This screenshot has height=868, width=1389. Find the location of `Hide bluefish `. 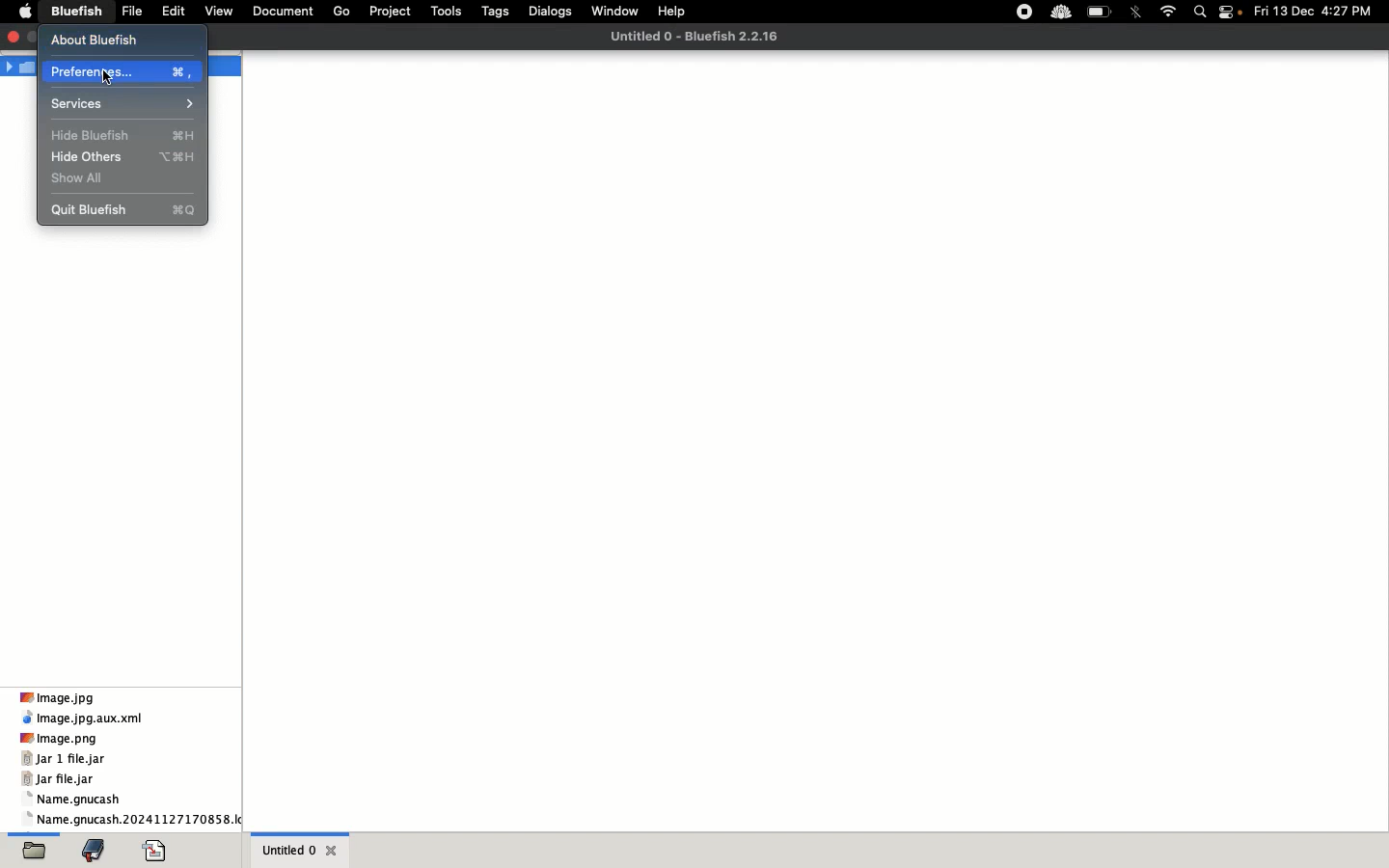

Hide bluefish  is located at coordinates (125, 137).